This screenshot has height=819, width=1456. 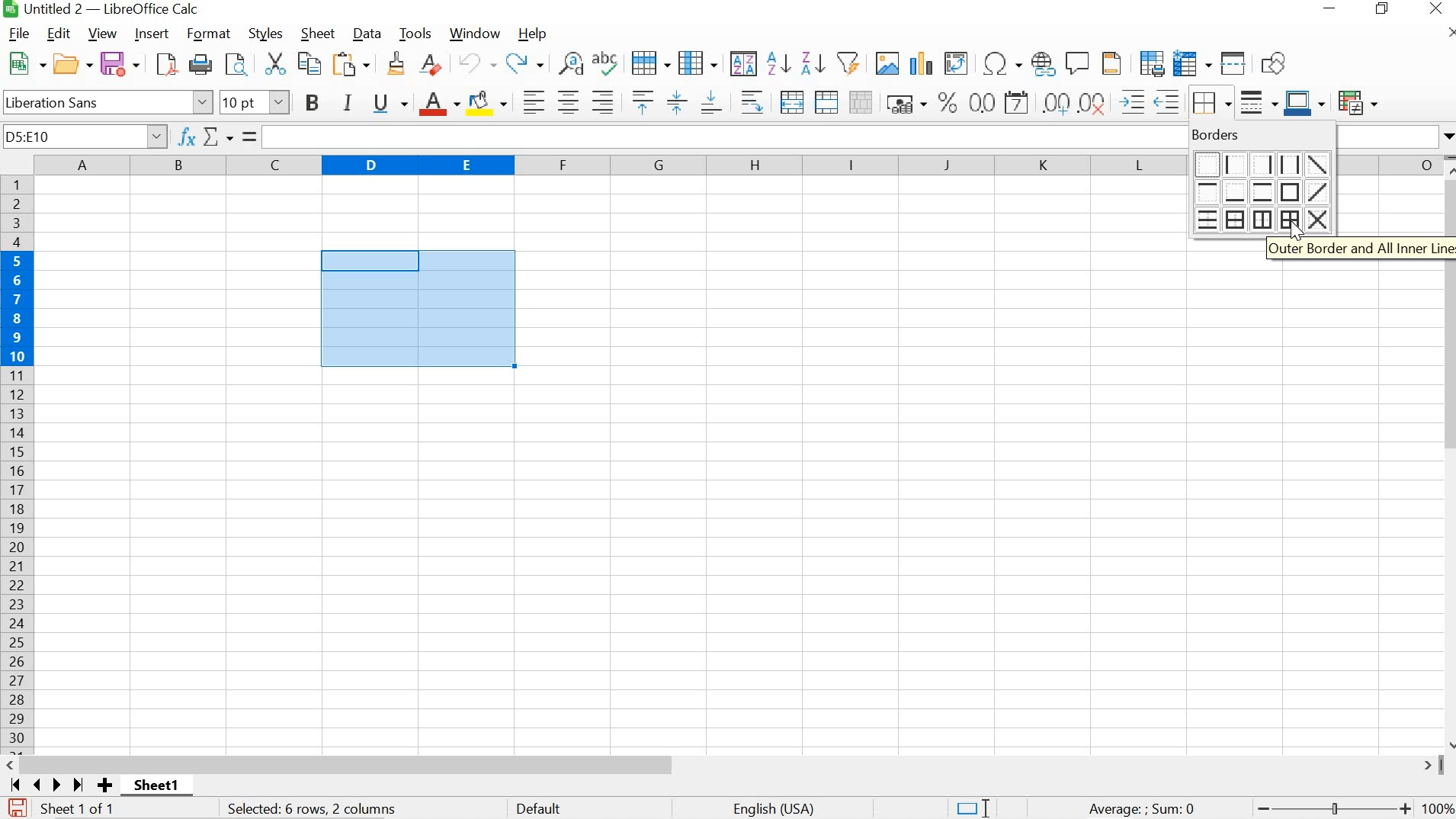 I want to click on clone formatting, so click(x=396, y=64).